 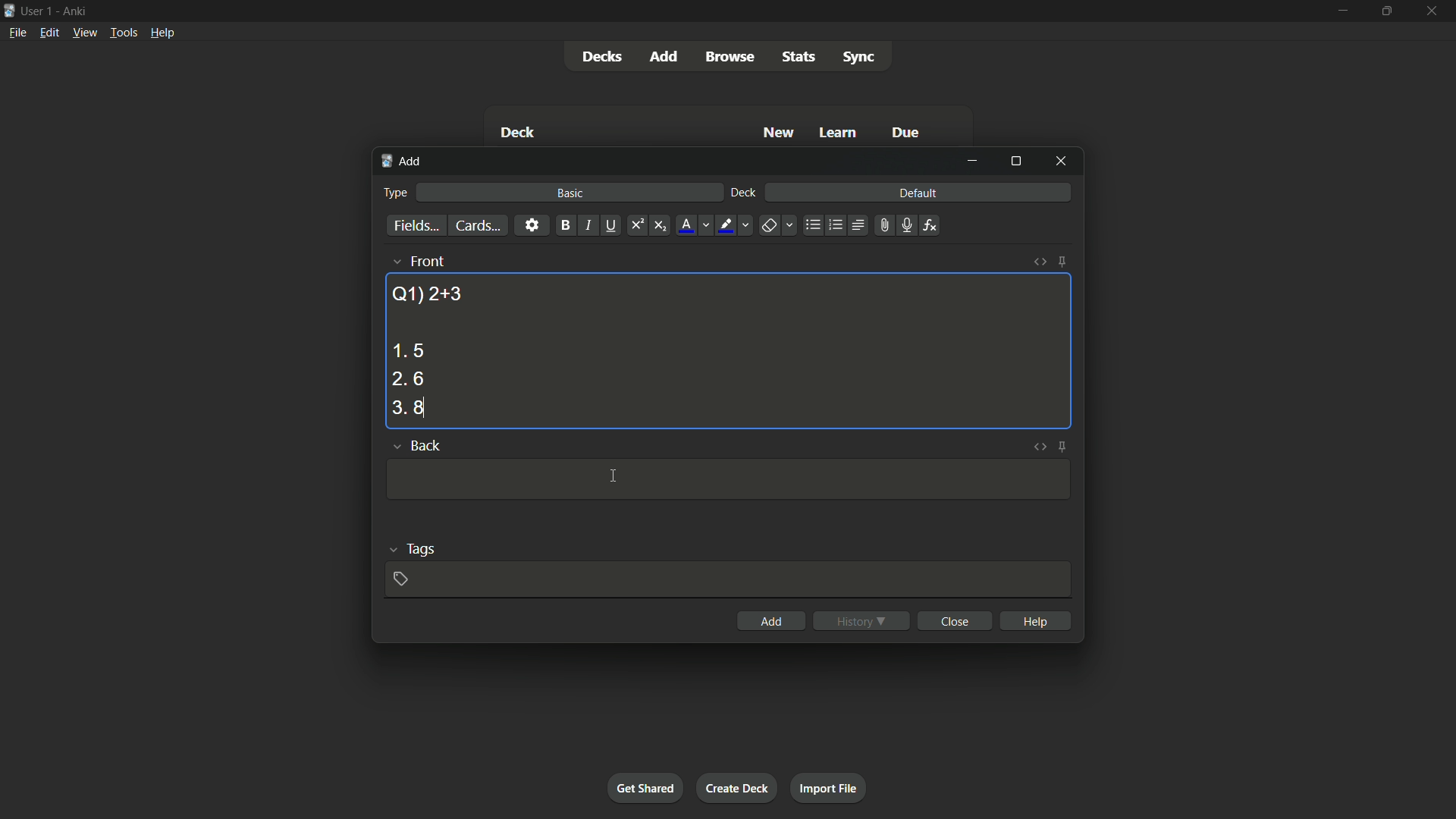 I want to click on due, so click(x=906, y=134).